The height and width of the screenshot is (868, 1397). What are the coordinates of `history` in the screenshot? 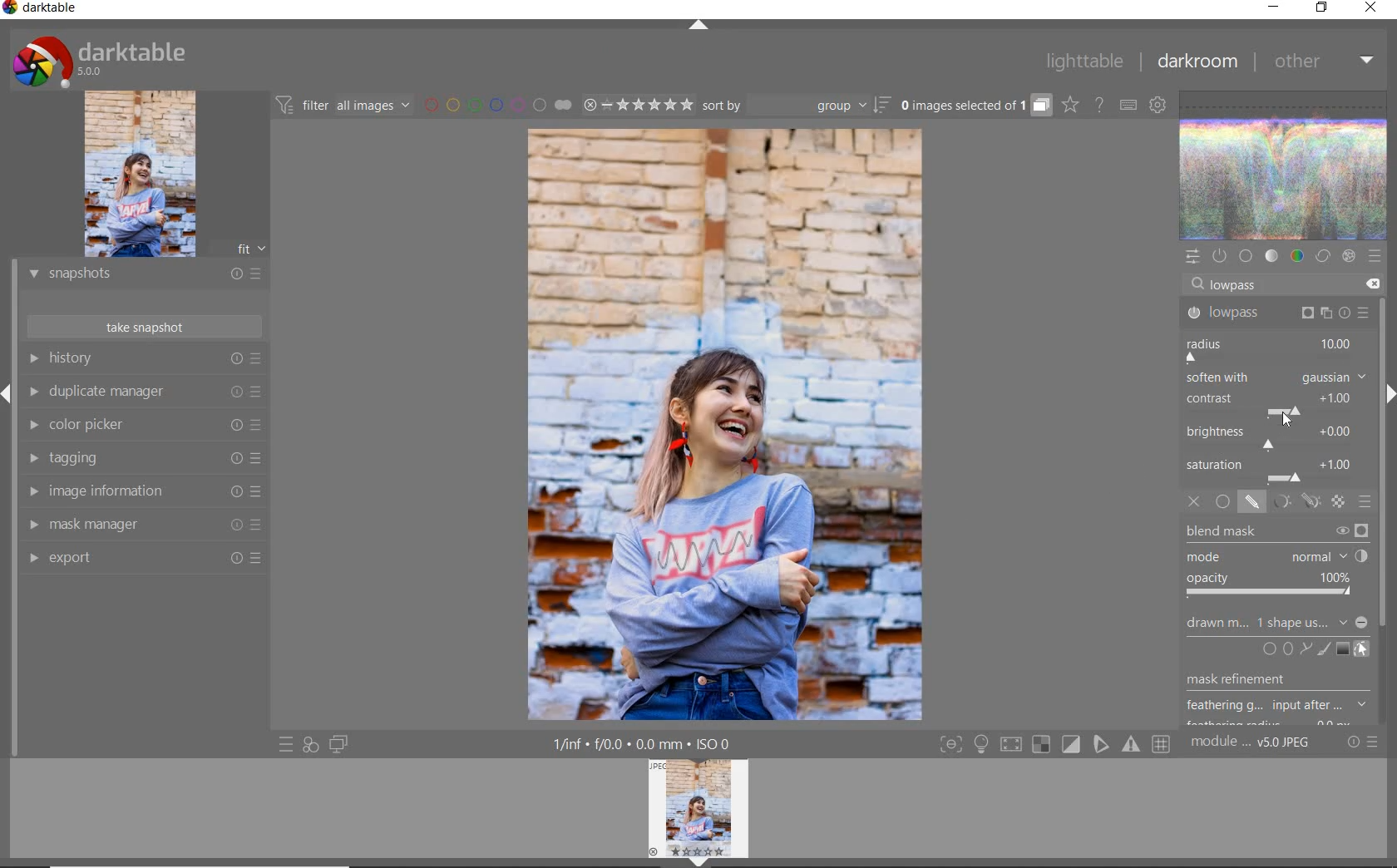 It's located at (150, 359).